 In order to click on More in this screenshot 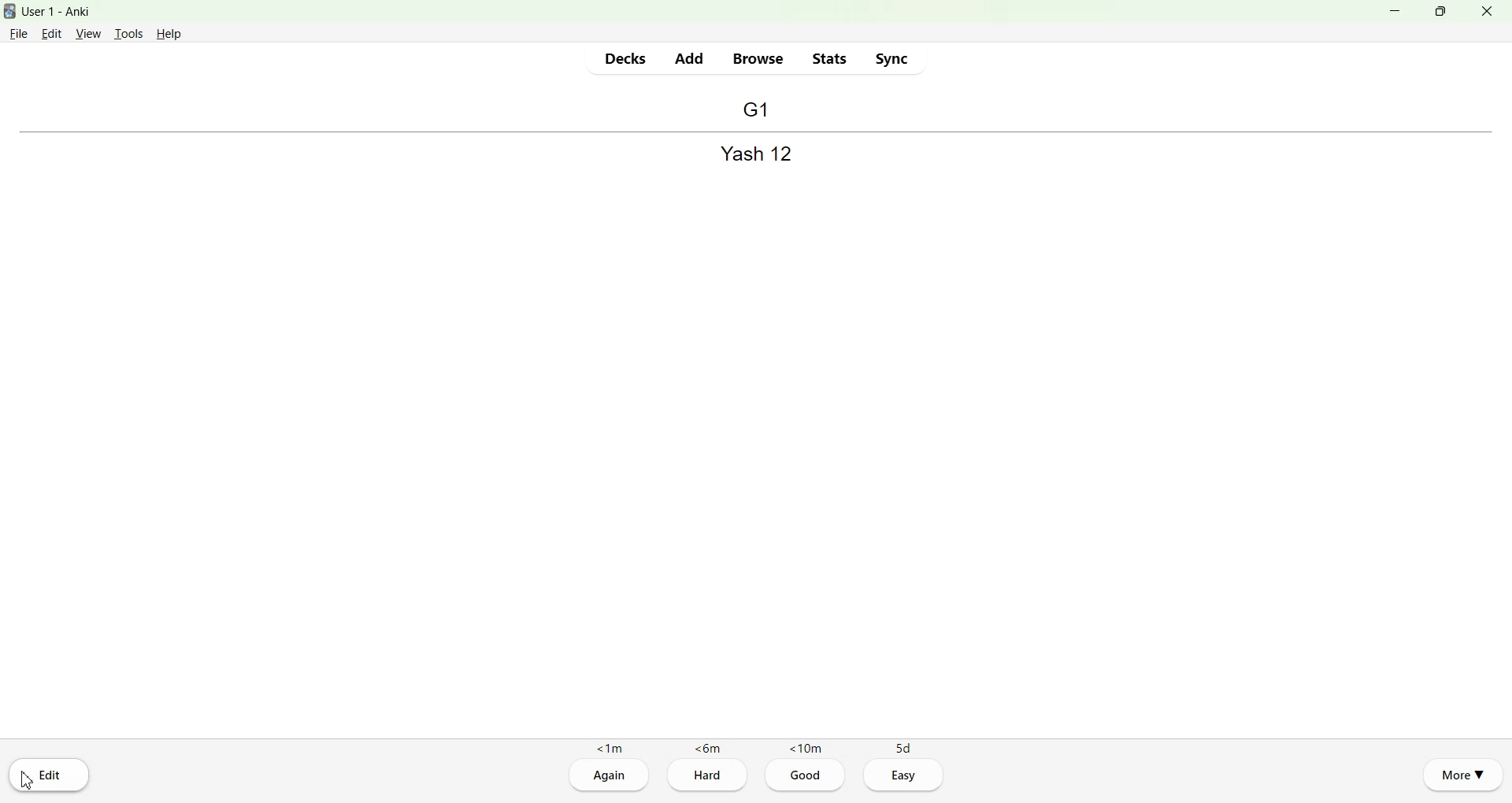, I will do `click(1463, 773)`.